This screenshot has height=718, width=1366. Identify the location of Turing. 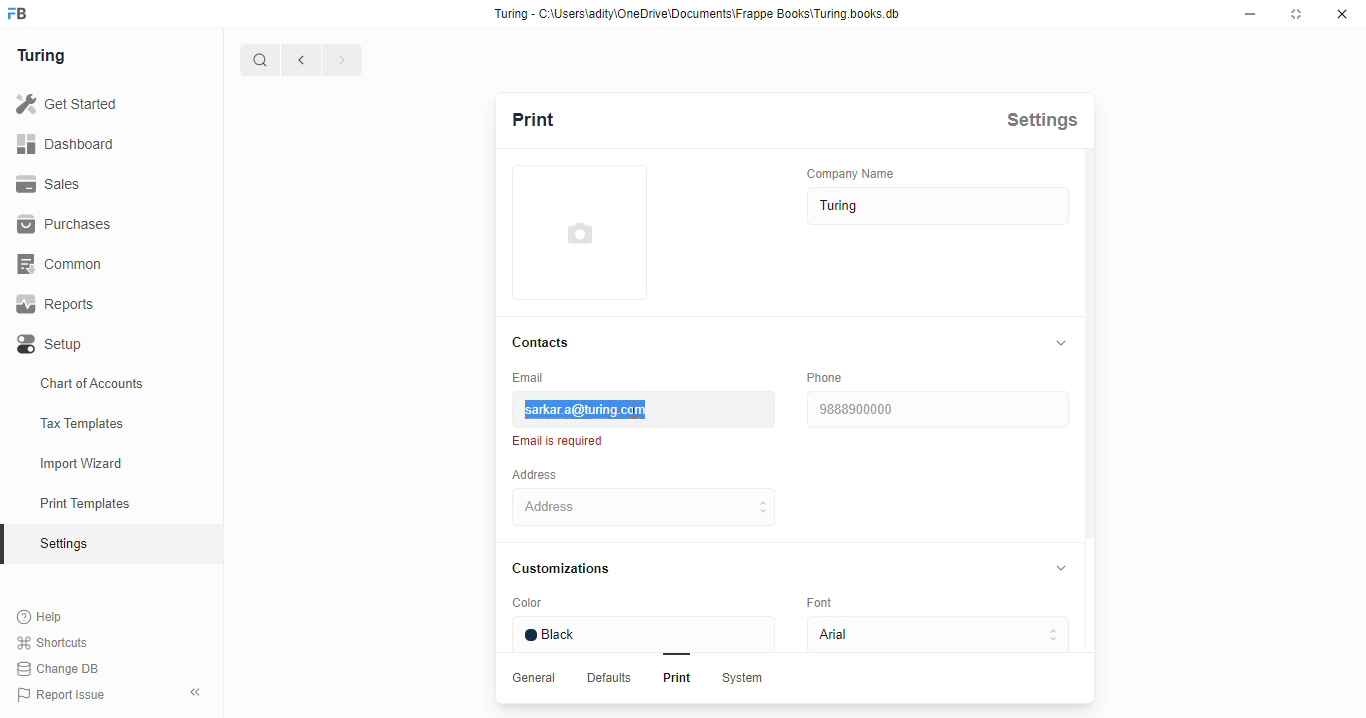
(933, 207).